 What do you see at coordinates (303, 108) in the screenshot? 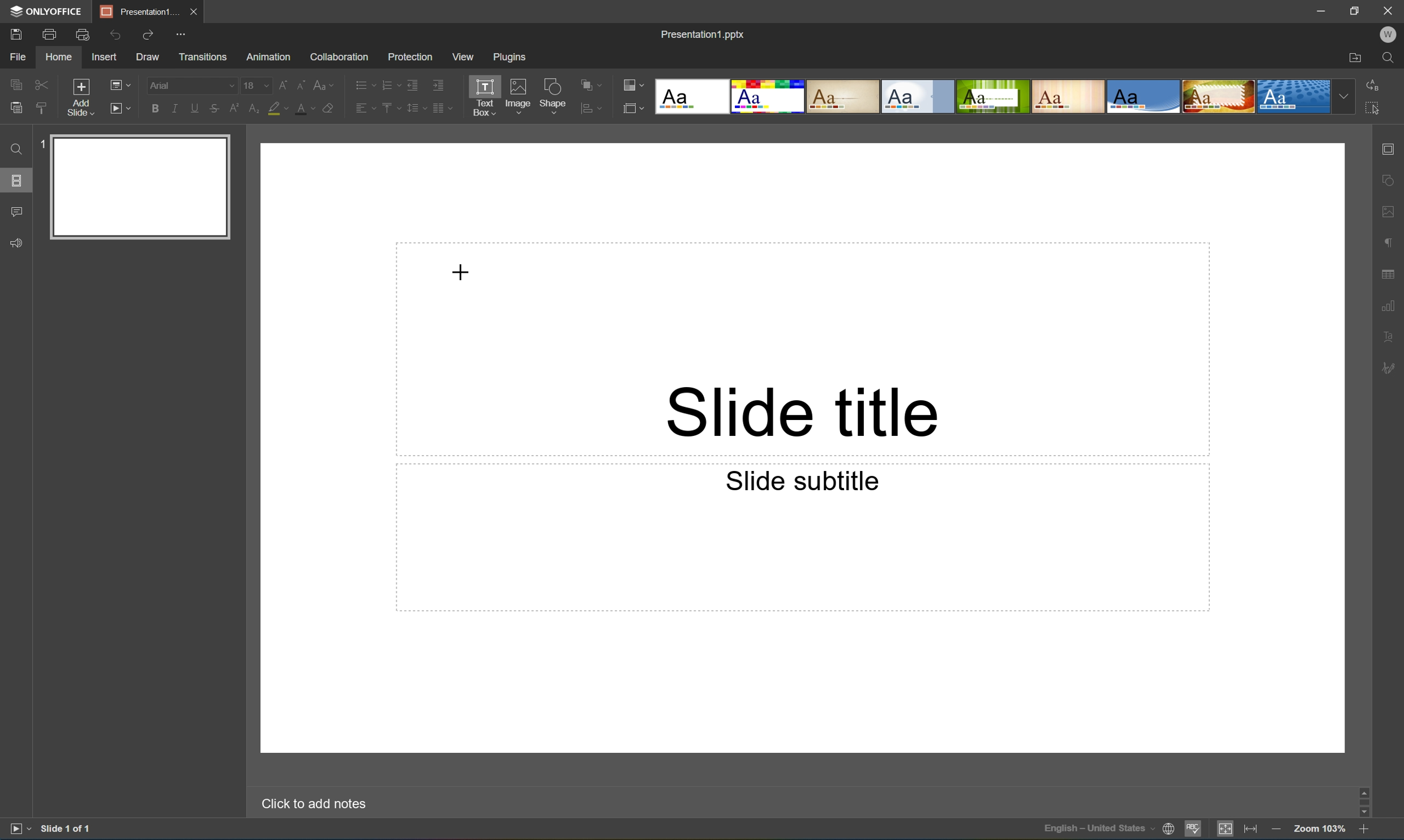
I see `Font color` at bounding box center [303, 108].